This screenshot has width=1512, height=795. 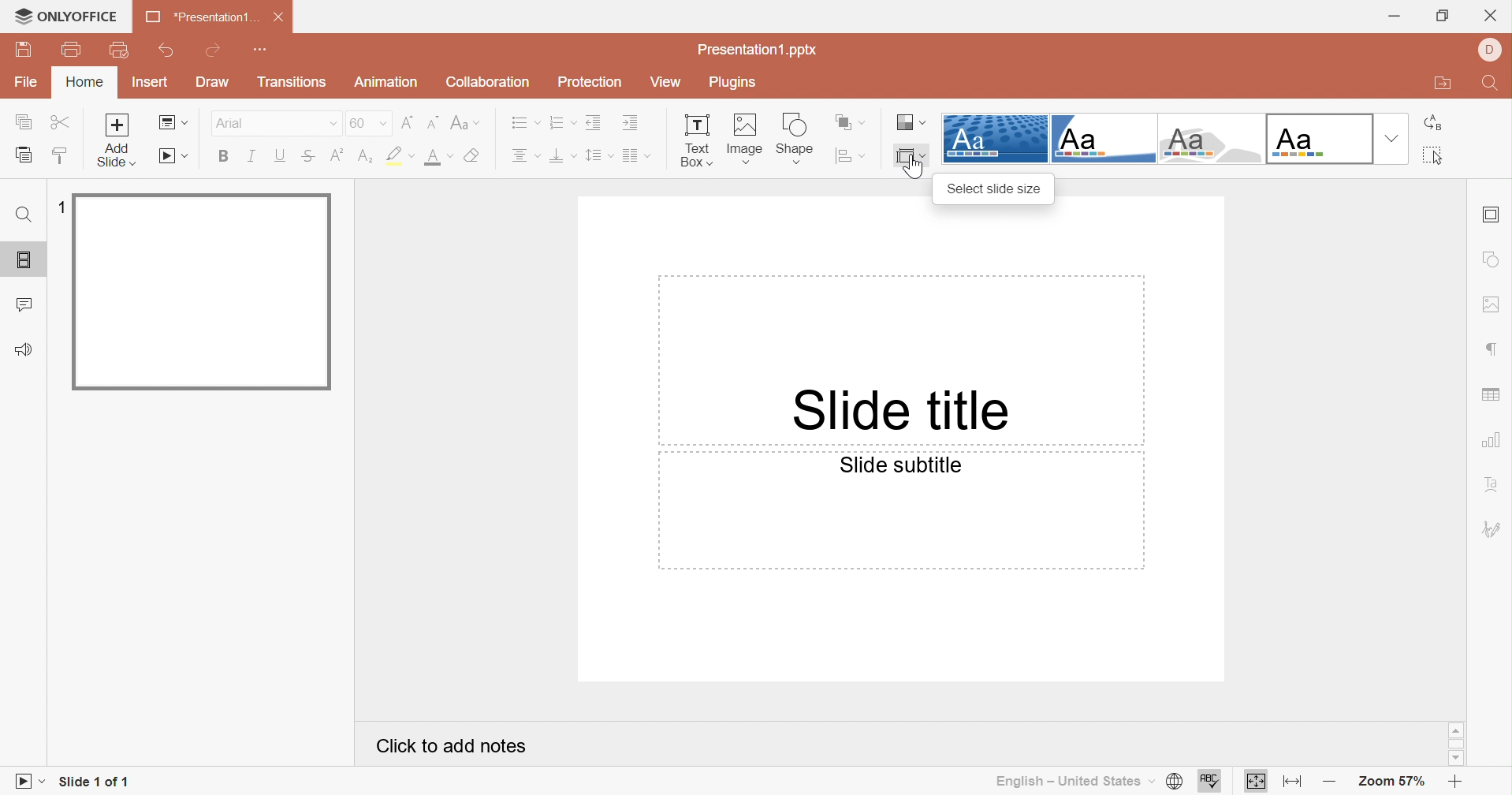 I want to click on View, so click(x=664, y=80).